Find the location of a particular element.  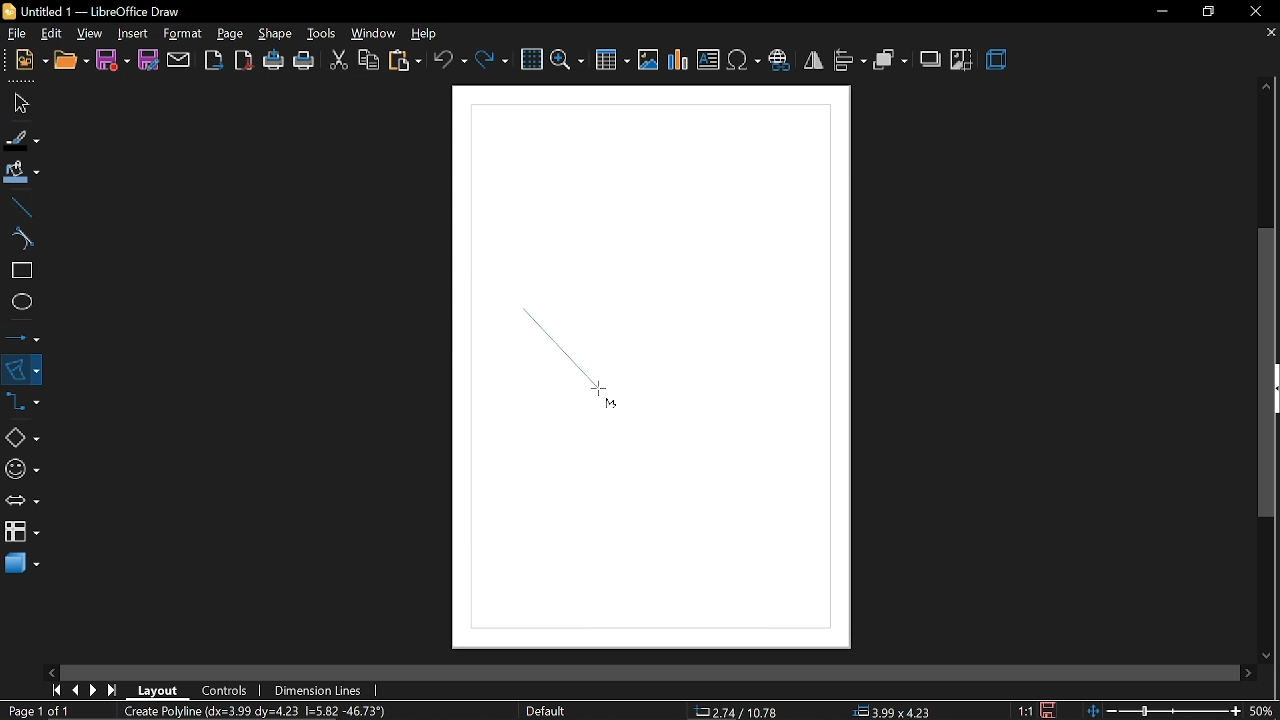

controls is located at coordinates (228, 689).